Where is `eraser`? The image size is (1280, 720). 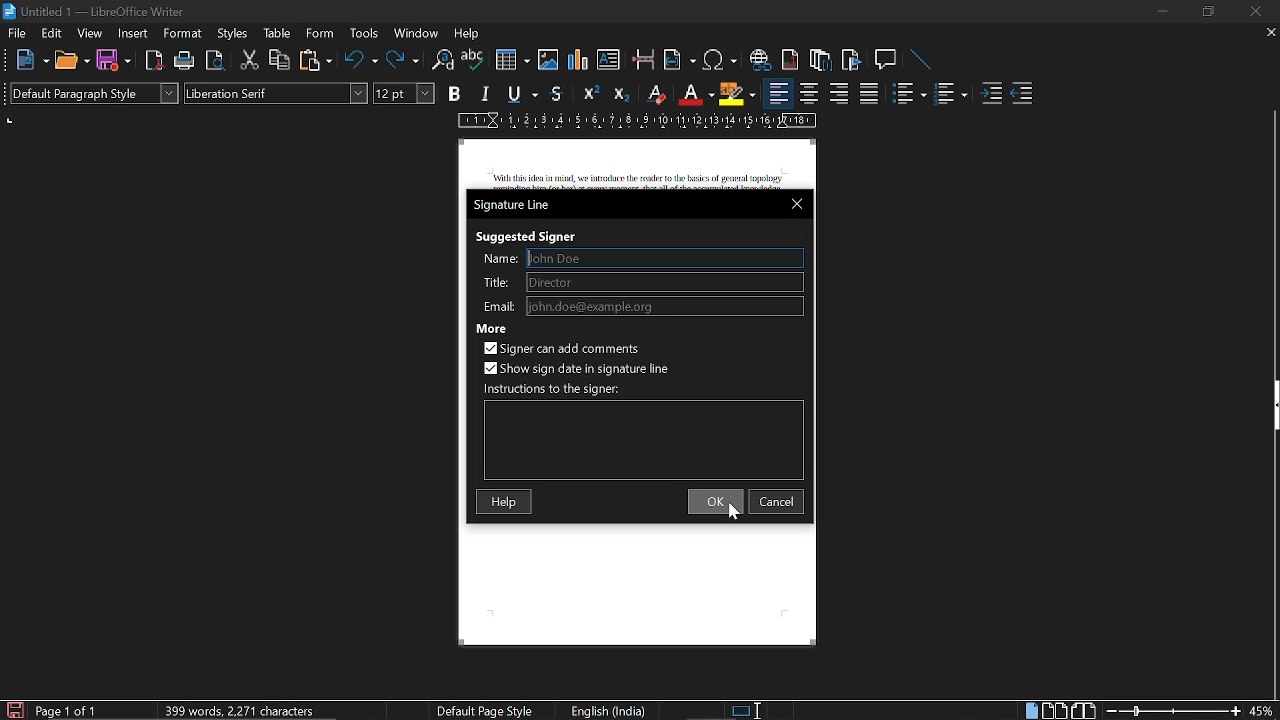
eraser is located at coordinates (658, 93).